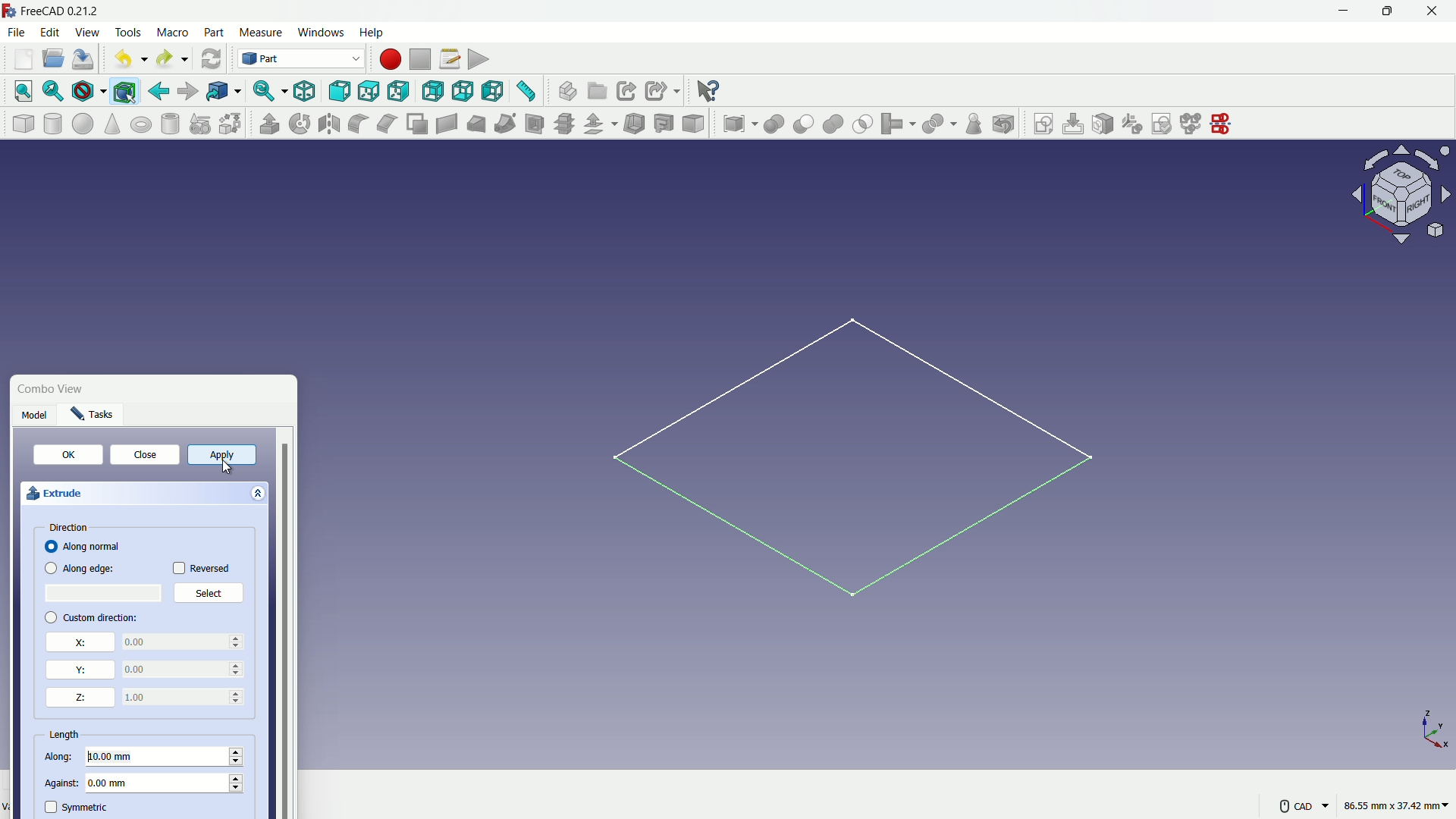  I want to click on make face from wires, so click(418, 124).